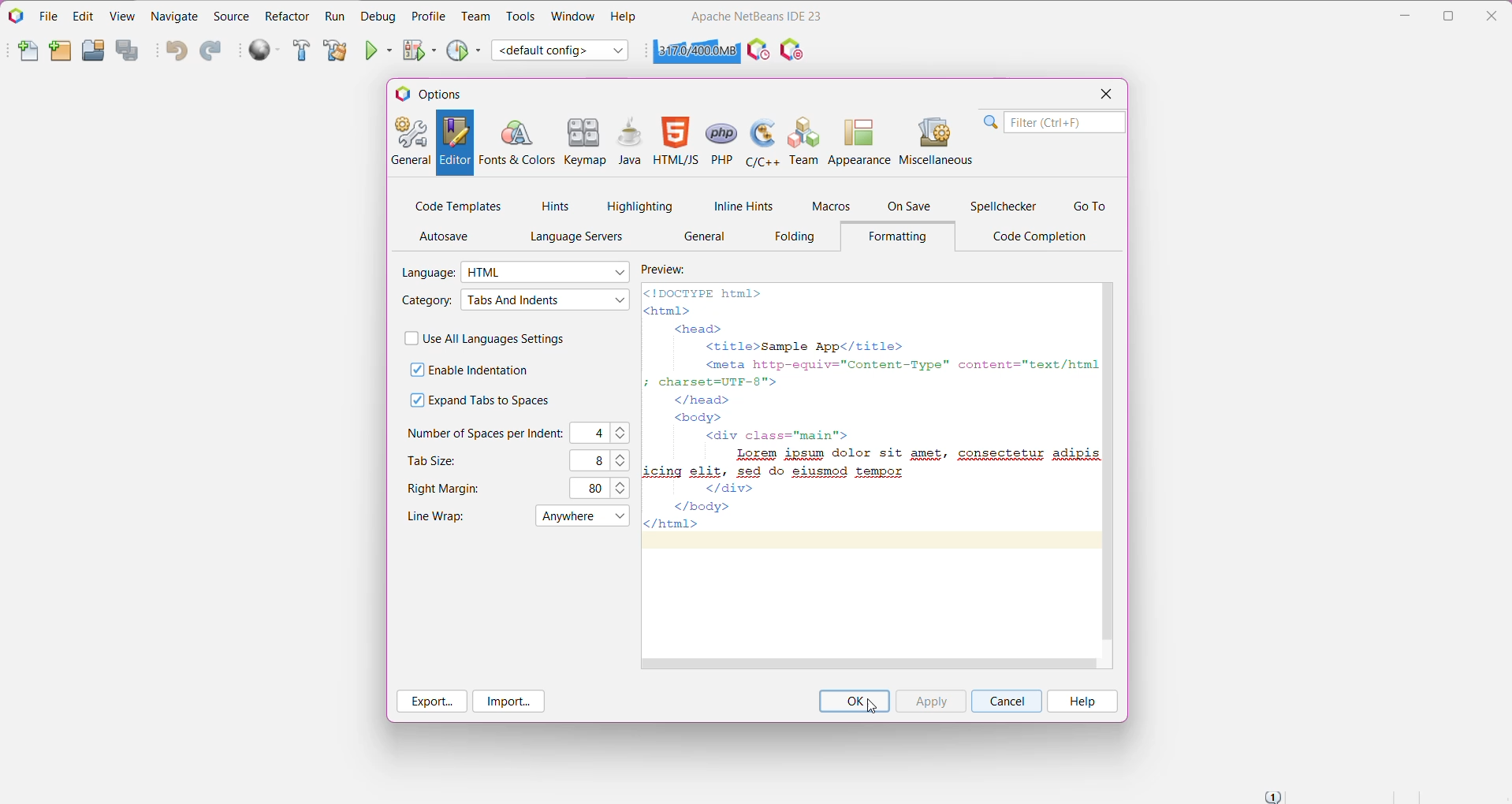 Image resolution: width=1512 pixels, height=804 pixels. I want to click on General, so click(706, 238).